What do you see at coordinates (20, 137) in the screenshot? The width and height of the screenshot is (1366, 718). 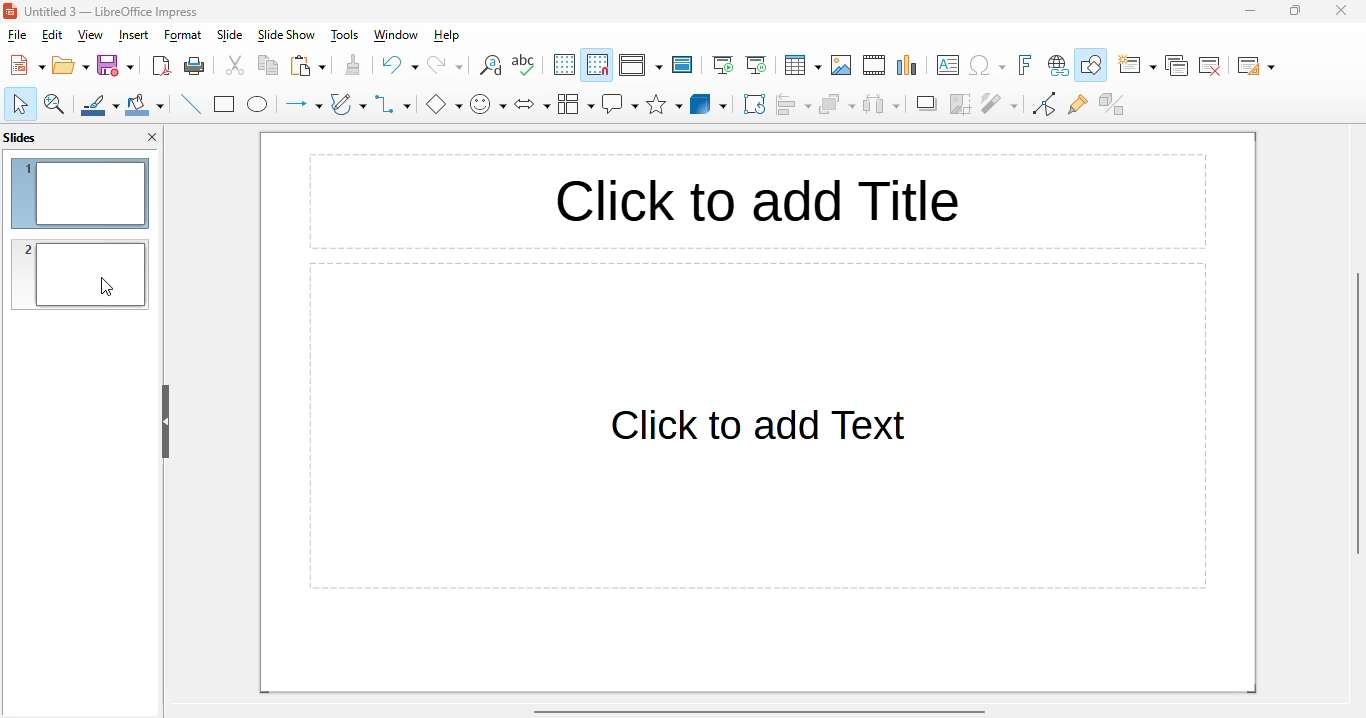 I see `slides` at bounding box center [20, 137].